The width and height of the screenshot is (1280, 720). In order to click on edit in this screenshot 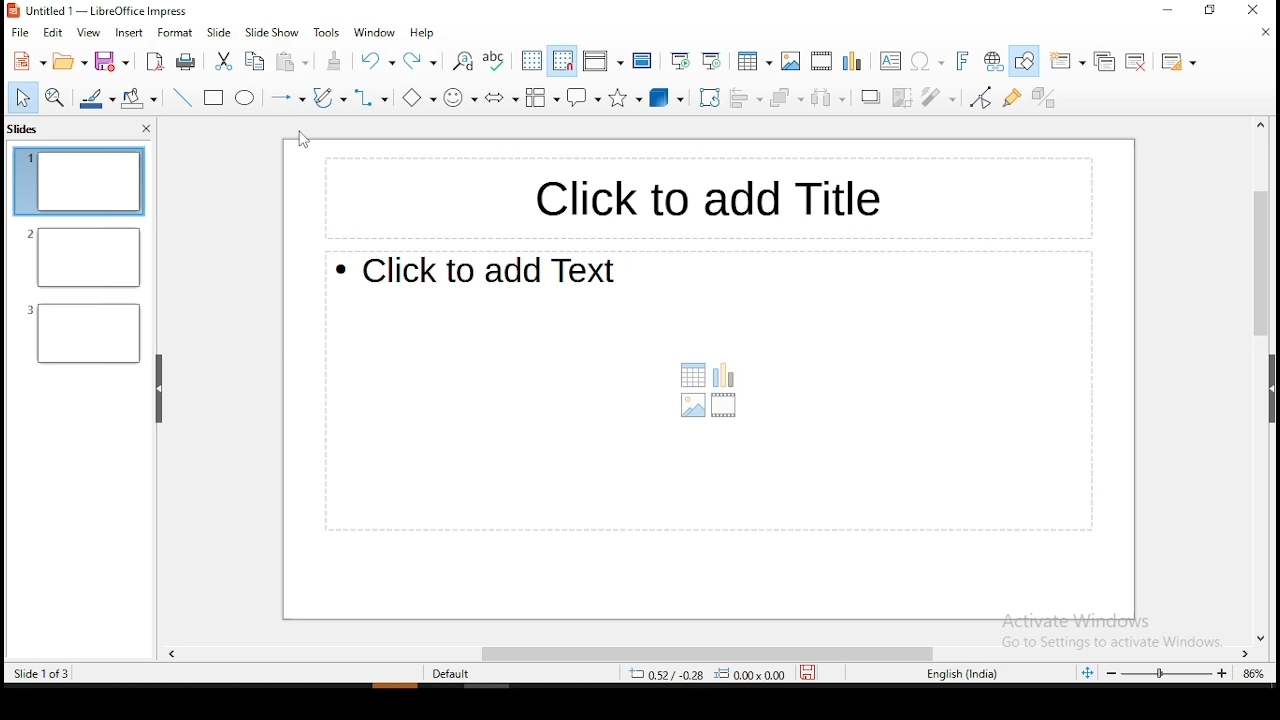, I will do `click(56, 33)`.